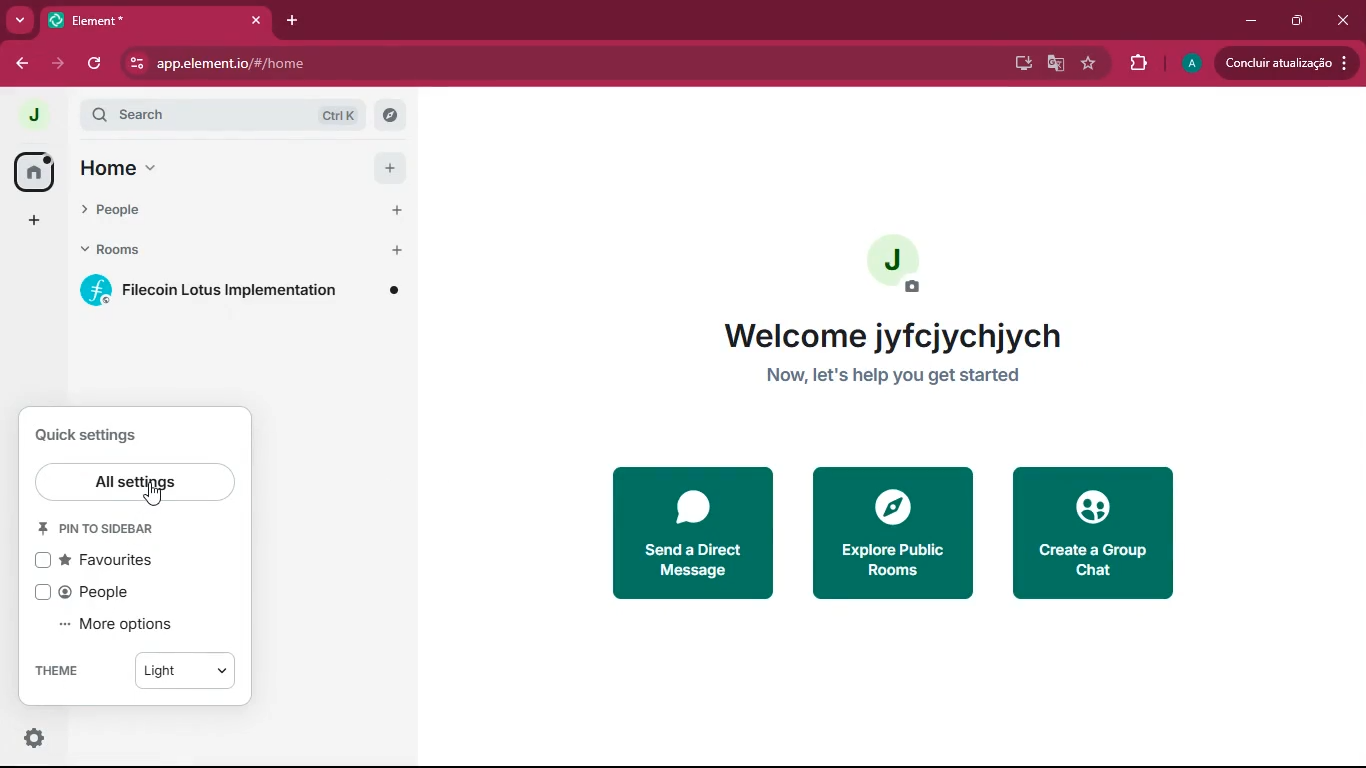  Describe the element at coordinates (102, 434) in the screenshot. I see `quick settings` at that location.